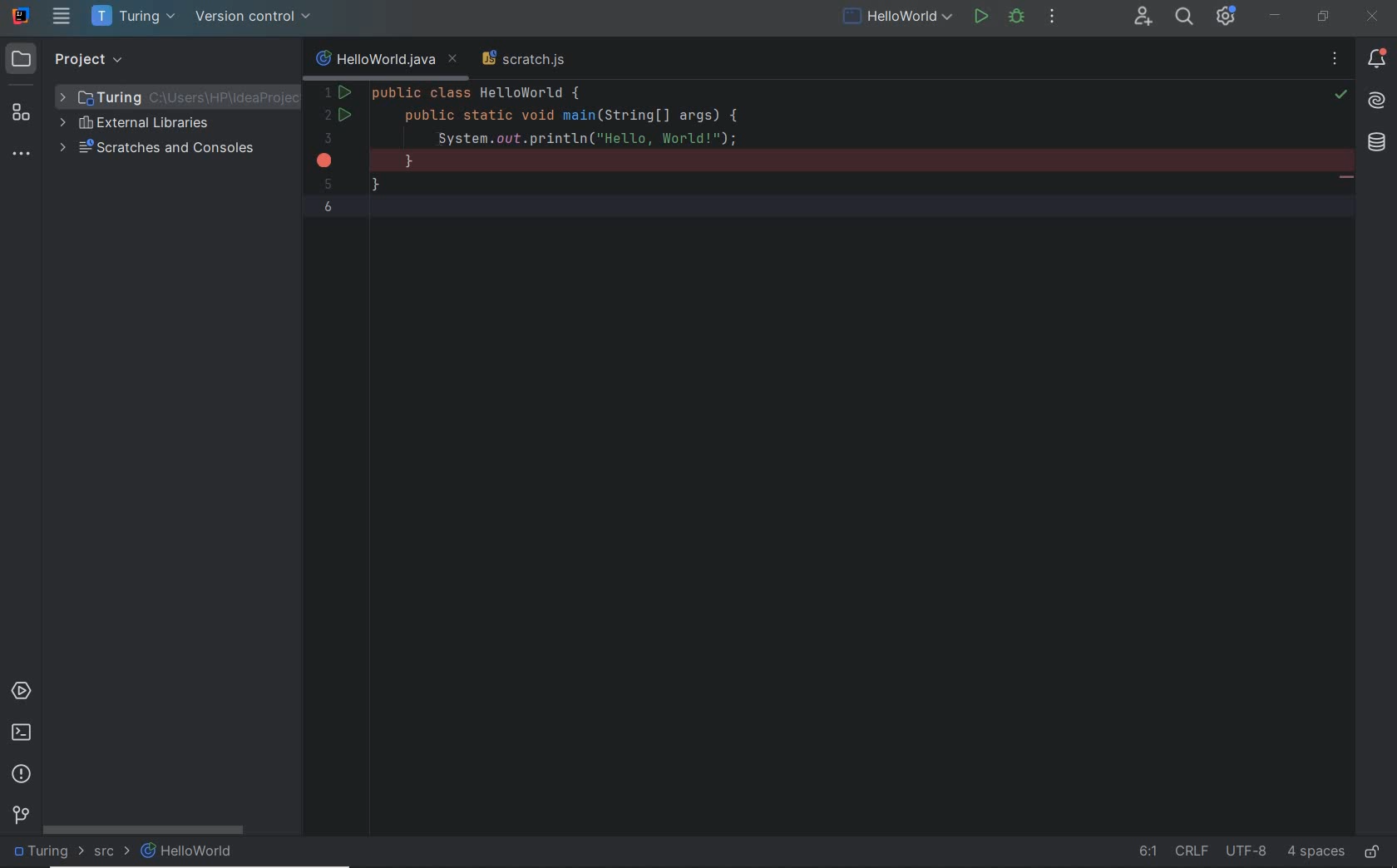 This screenshot has height=868, width=1397. What do you see at coordinates (1052, 18) in the screenshot?
I see `more actions` at bounding box center [1052, 18].